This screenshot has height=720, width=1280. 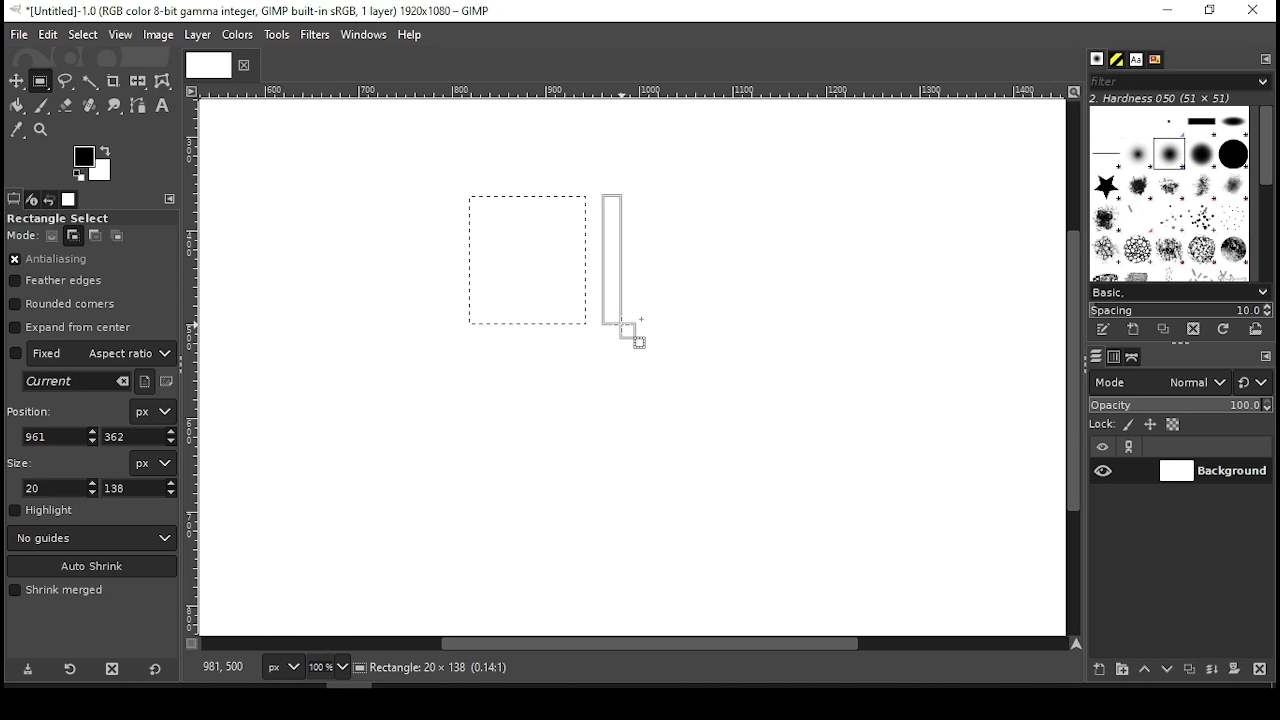 What do you see at coordinates (157, 35) in the screenshot?
I see `image` at bounding box center [157, 35].